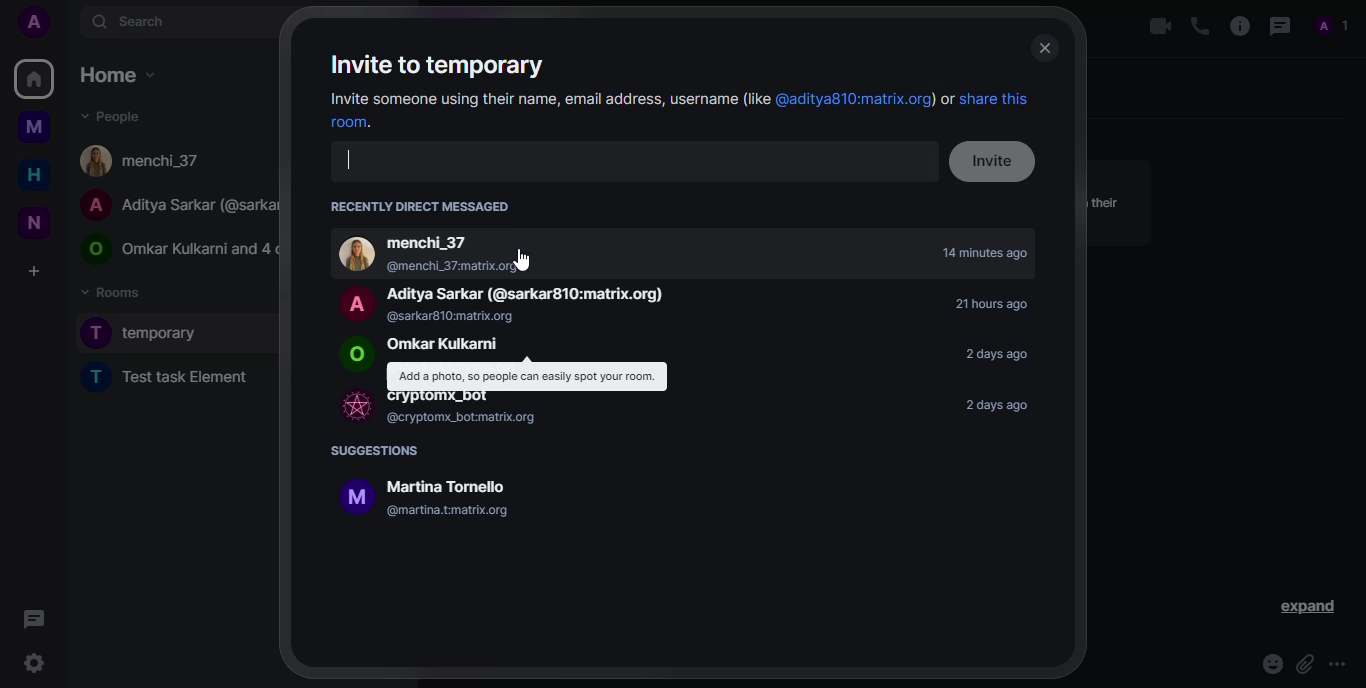 The height and width of the screenshot is (688, 1366). Describe the element at coordinates (495, 159) in the screenshot. I see `search` at that location.